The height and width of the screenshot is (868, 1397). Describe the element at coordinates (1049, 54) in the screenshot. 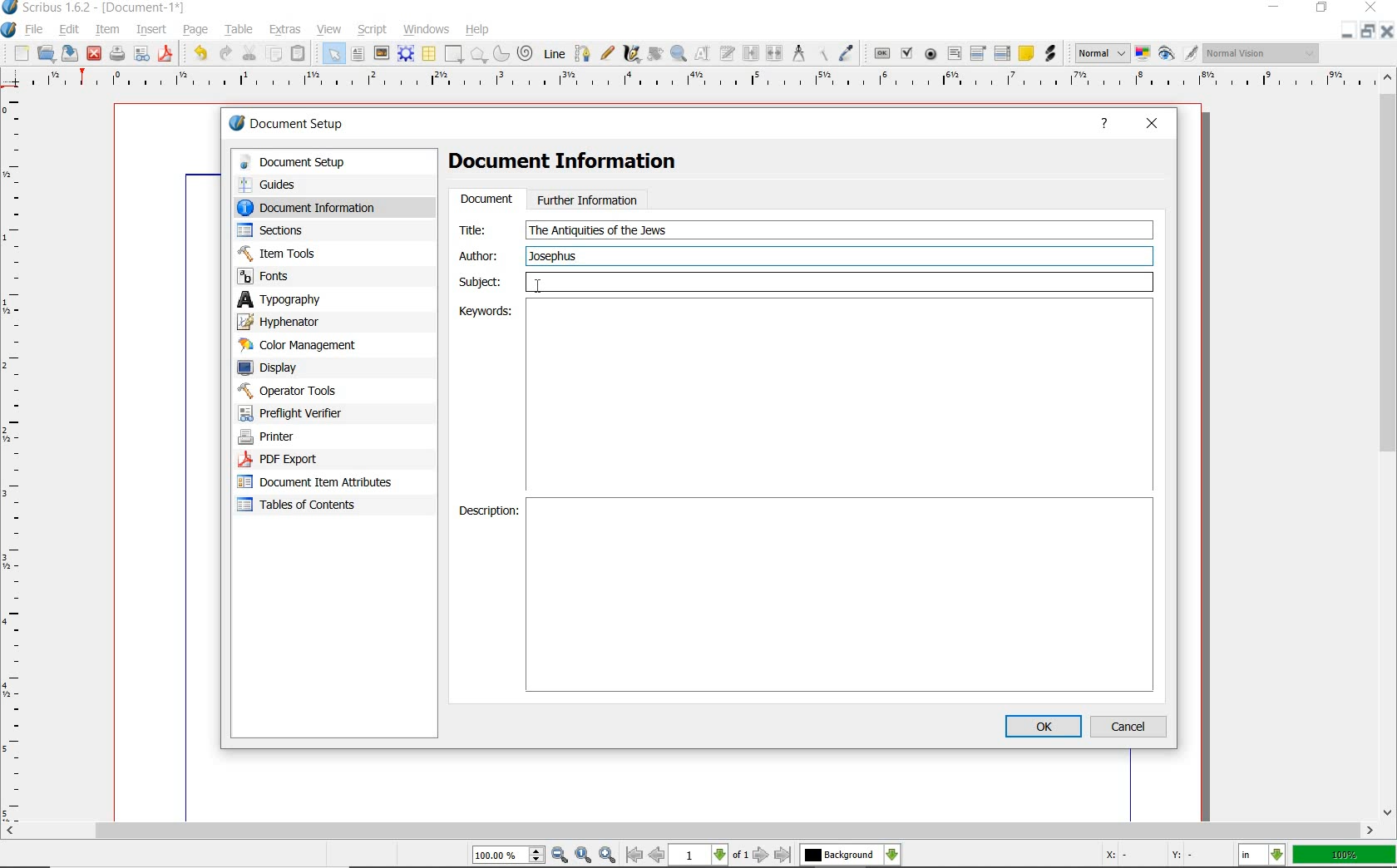

I see `link annotation` at that location.